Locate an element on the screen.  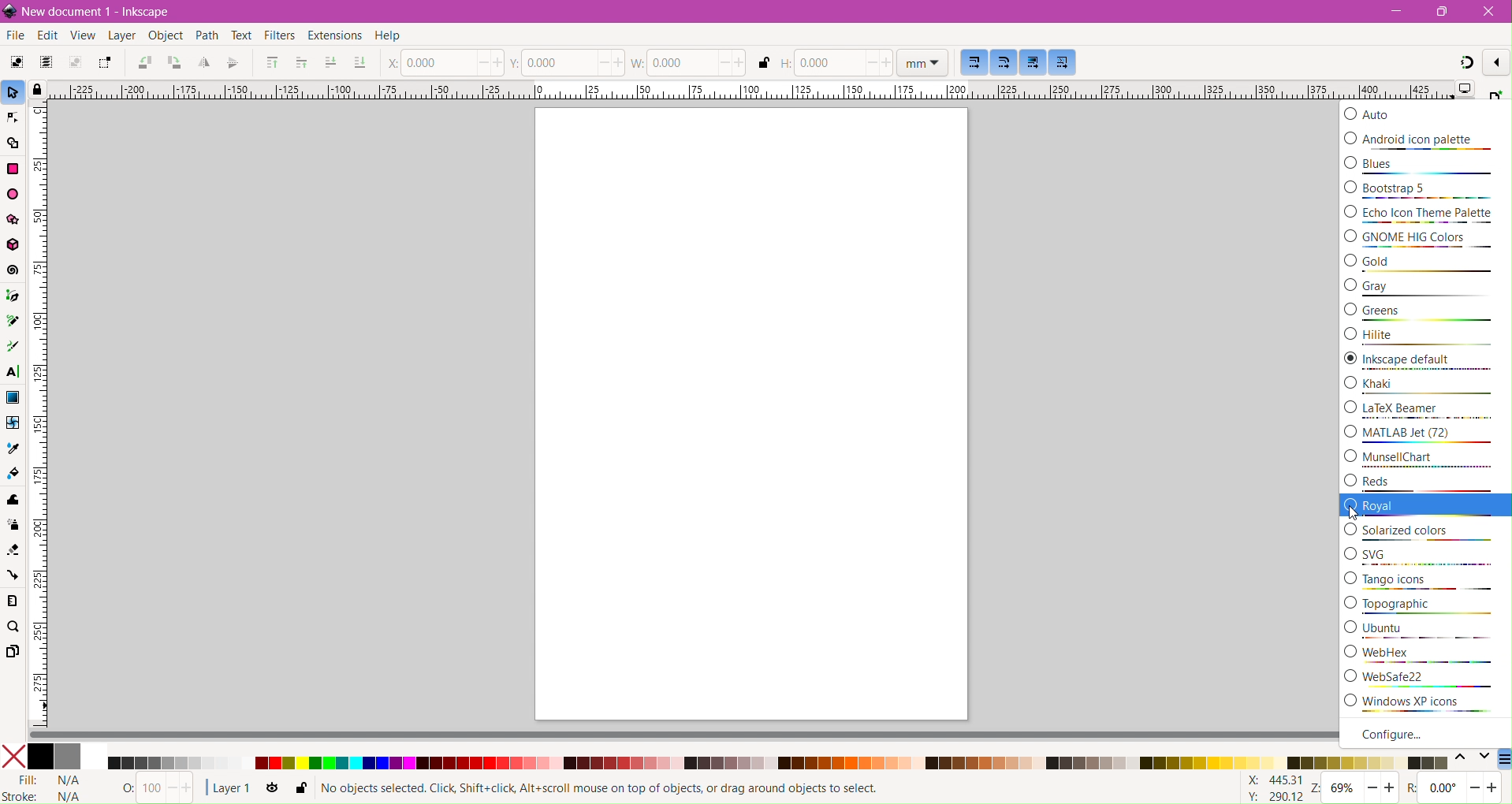
MATLAB Jet(72) is located at coordinates (1426, 434).